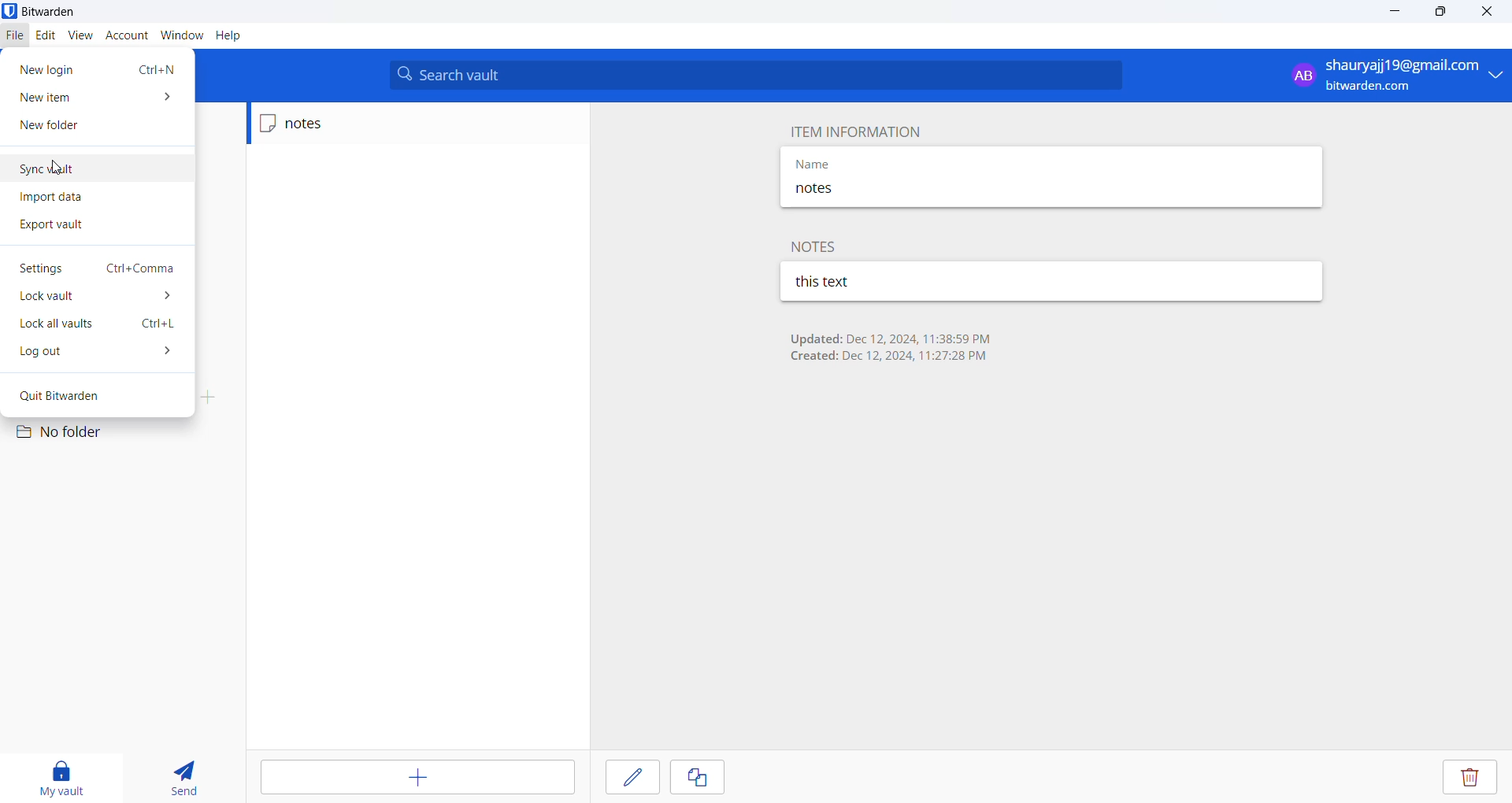 The image size is (1512, 803). What do you see at coordinates (1469, 778) in the screenshot?
I see `delete` at bounding box center [1469, 778].